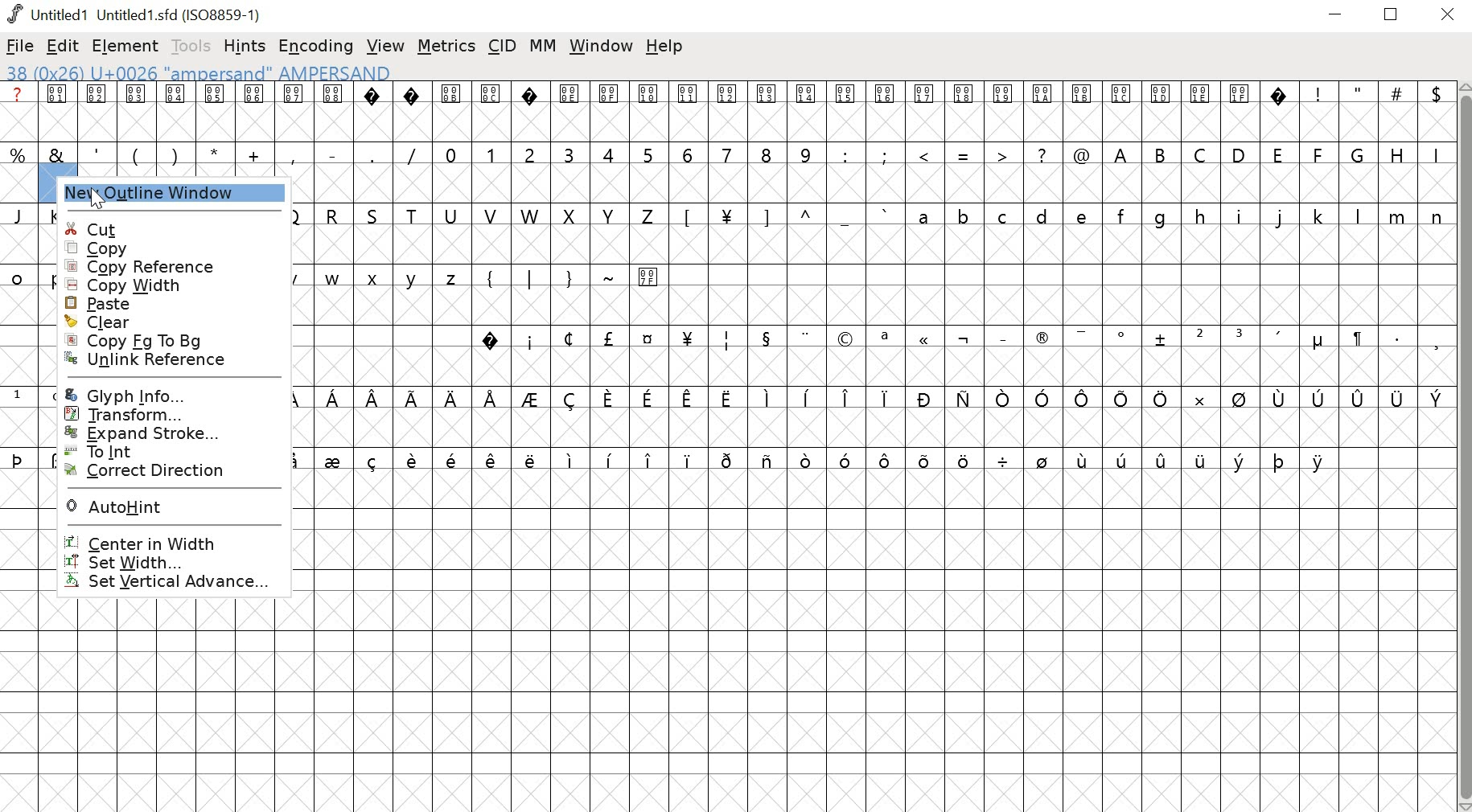 The height and width of the screenshot is (812, 1472). Describe the element at coordinates (177, 539) in the screenshot. I see `center in width` at that location.